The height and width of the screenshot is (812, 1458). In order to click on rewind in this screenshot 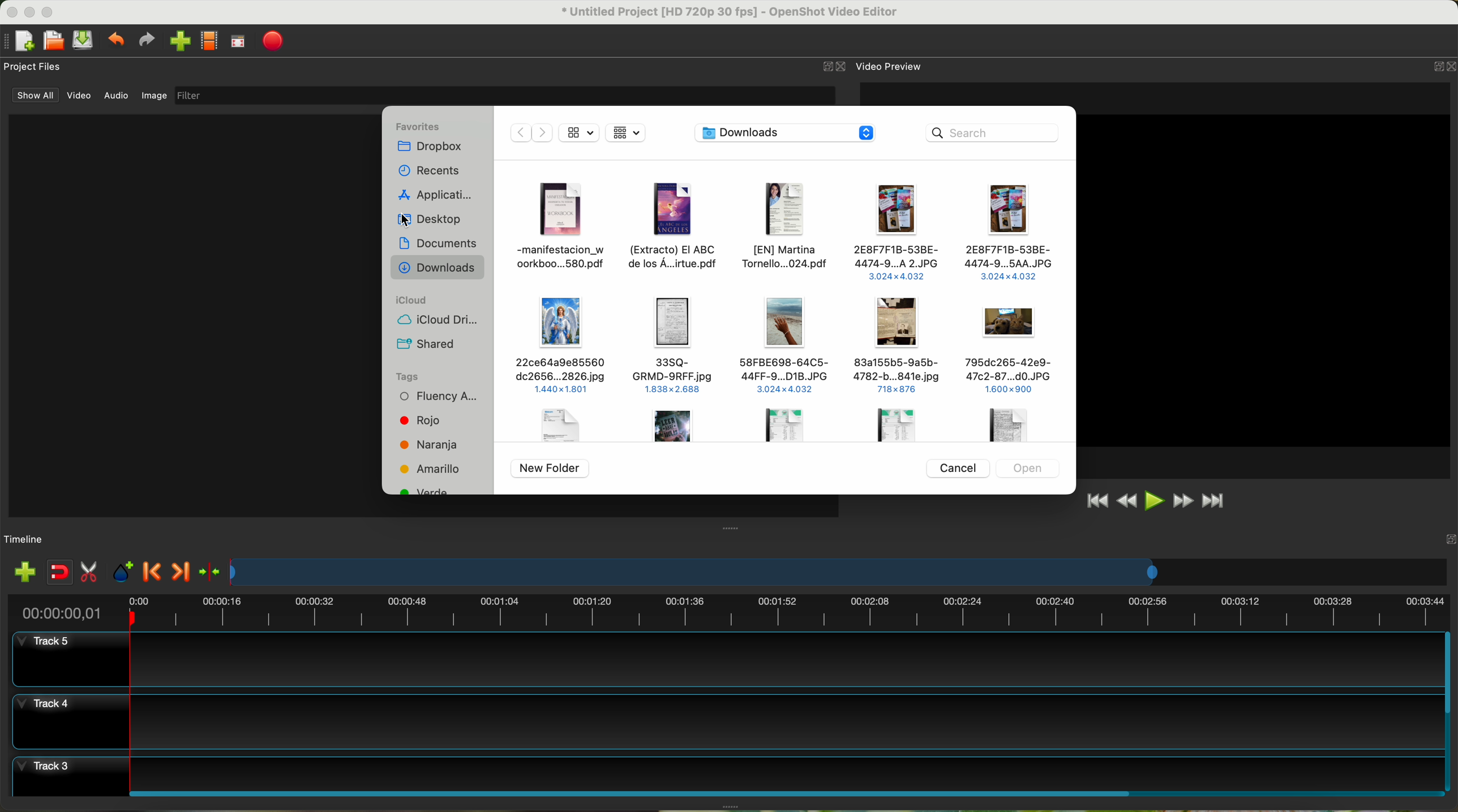, I will do `click(1128, 501)`.